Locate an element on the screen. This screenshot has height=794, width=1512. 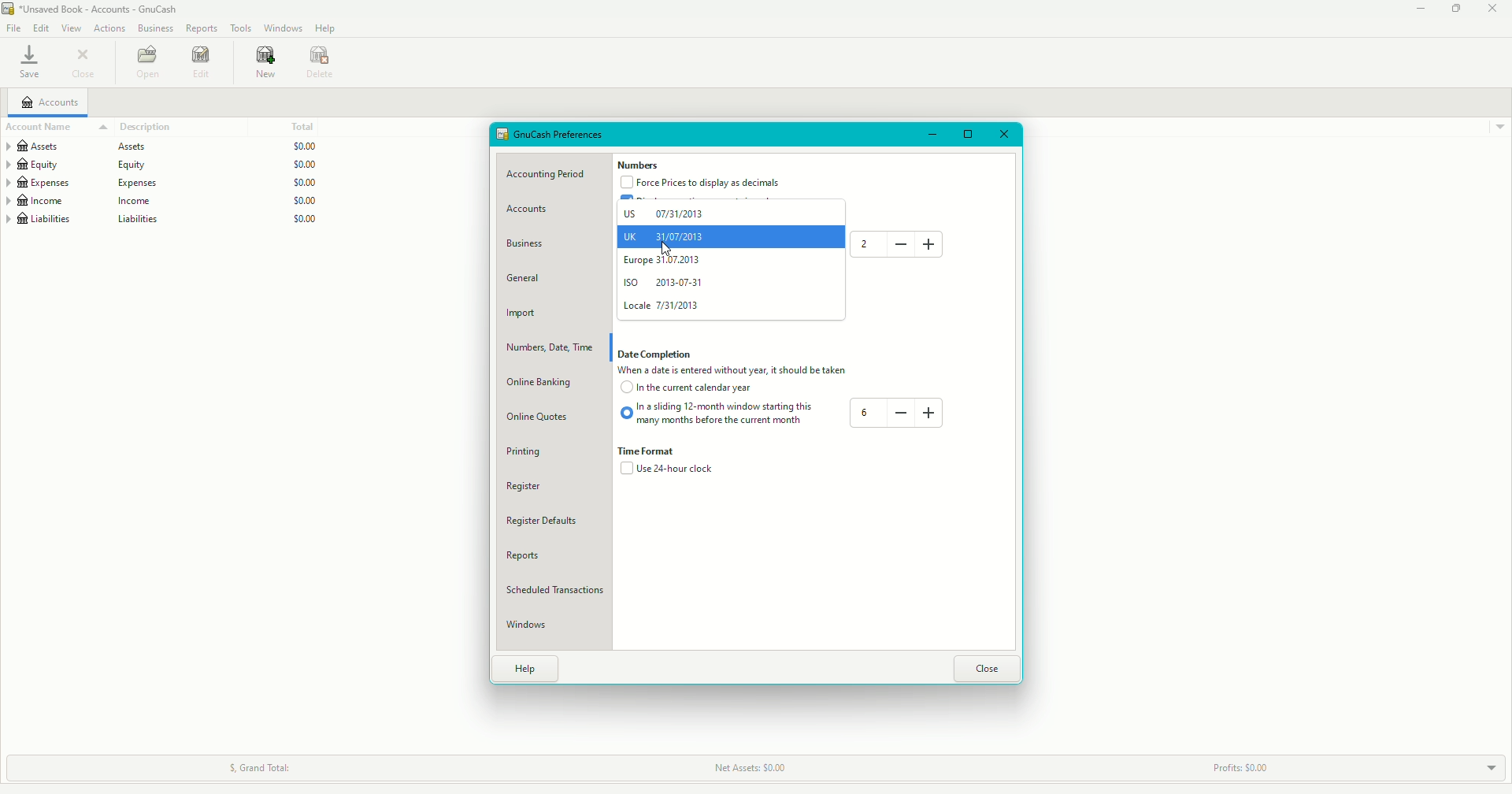
Minimize is located at coordinates (1417, 10).